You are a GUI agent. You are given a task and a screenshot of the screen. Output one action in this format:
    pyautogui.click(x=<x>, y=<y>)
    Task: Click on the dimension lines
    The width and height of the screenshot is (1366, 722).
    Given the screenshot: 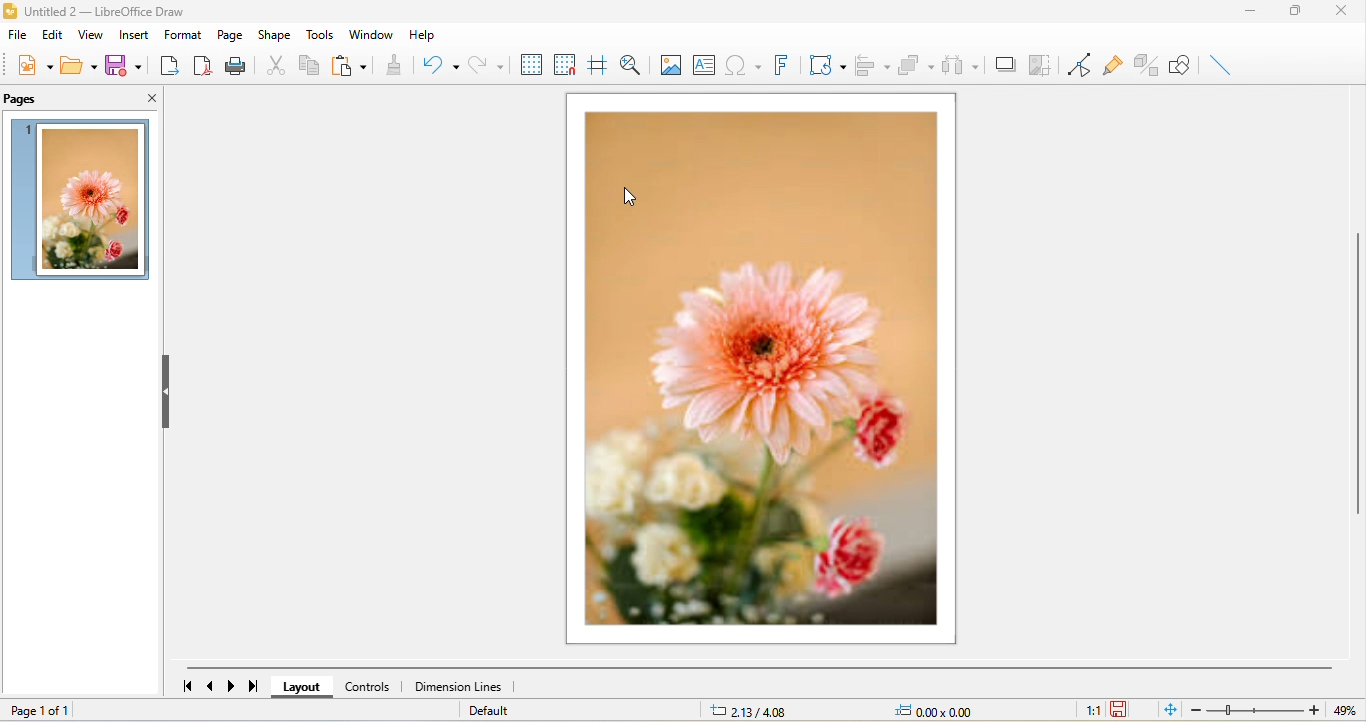 What is the action you would take?
    pyautogui.click(x=463, y=687)
    